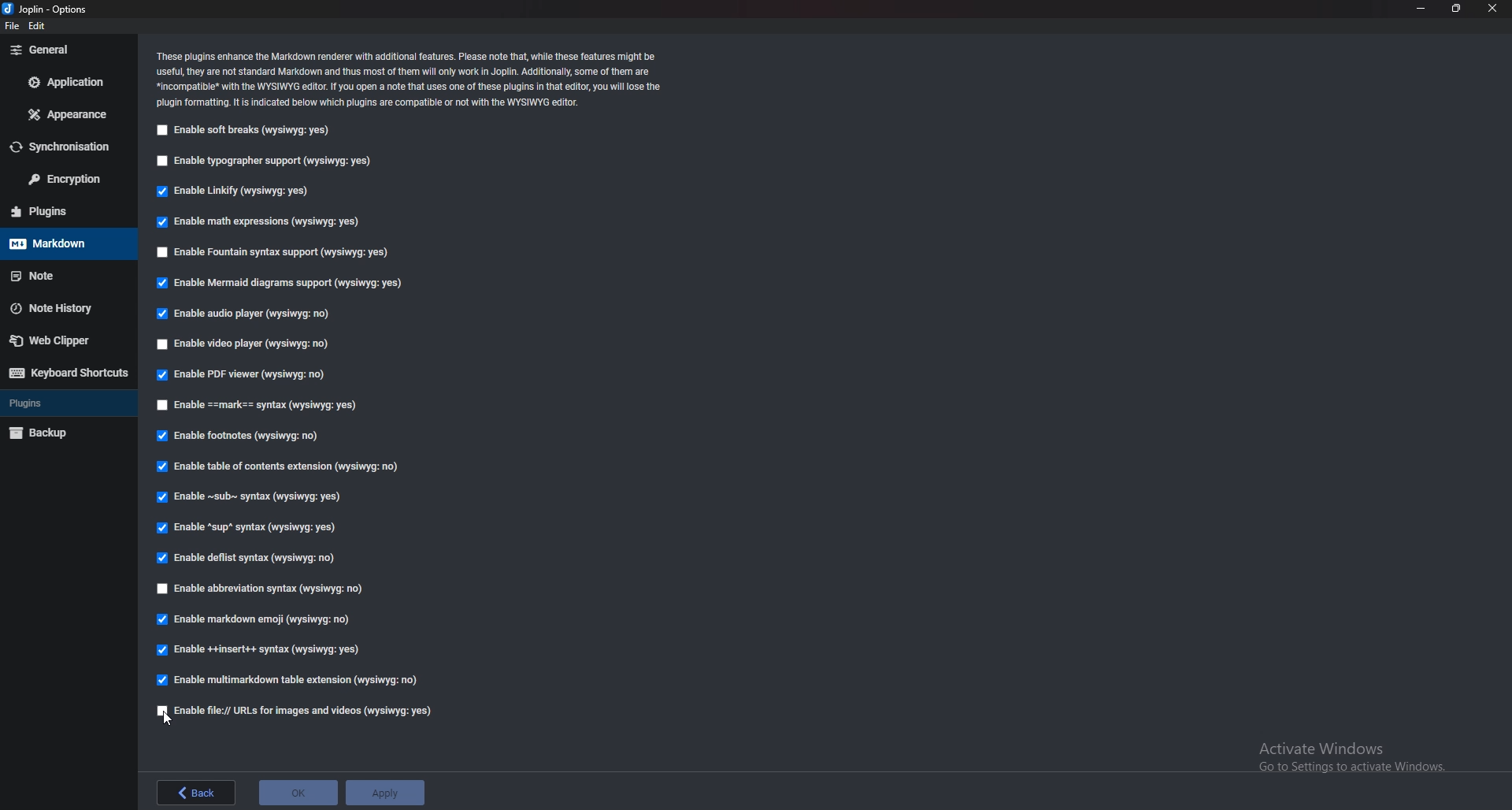  Describe the element at coordinates (14, 25) in the screenshot. I see `file` at that location.